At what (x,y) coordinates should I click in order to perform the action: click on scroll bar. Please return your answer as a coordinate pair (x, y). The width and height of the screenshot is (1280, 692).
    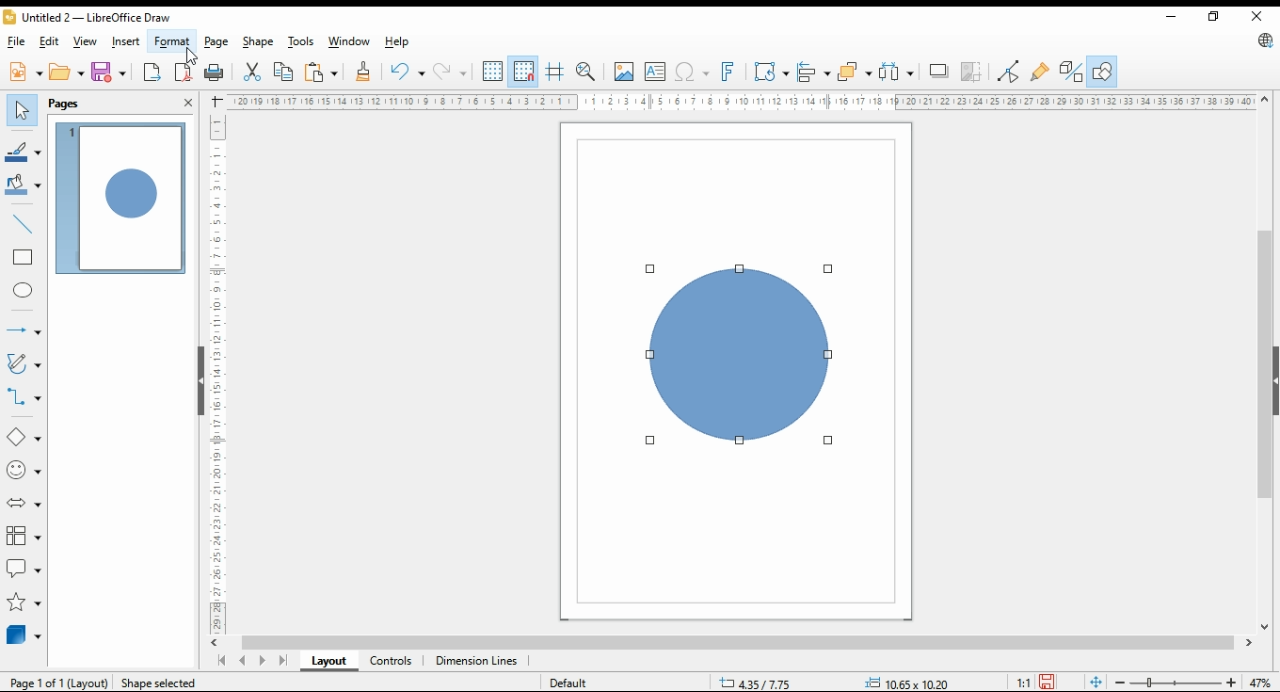
    Looking at the image, I should click on (1266, 361).